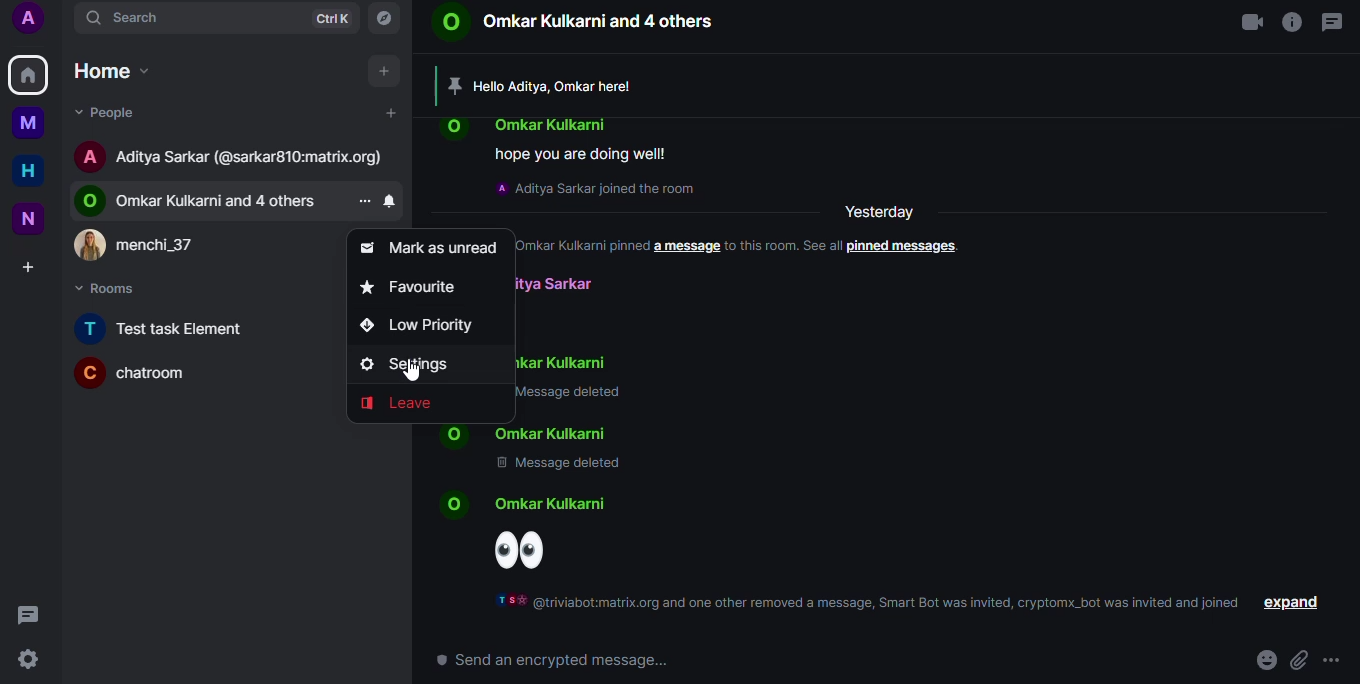 This screenshot has width=1360, height=684. What do you see at coordinates (36, 125) in the screenshot?
I see `` at bounding box center [36, 125].